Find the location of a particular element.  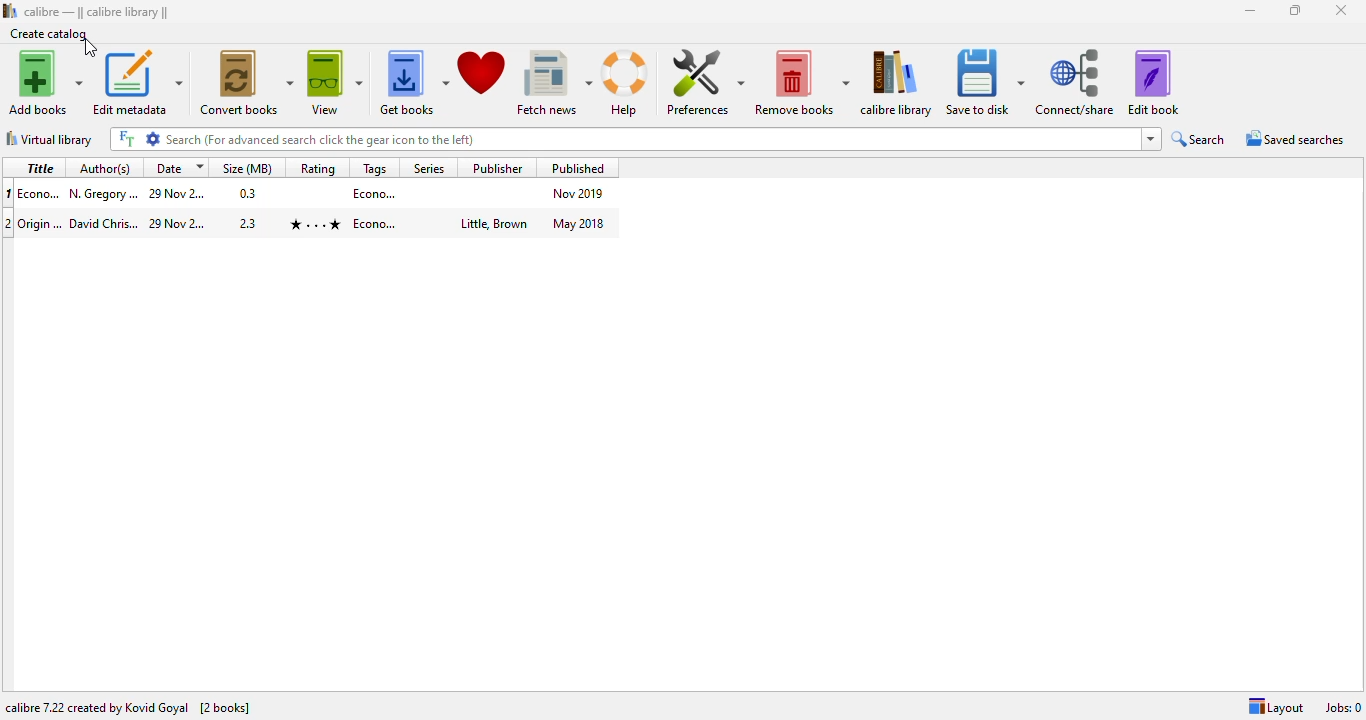

jobs: 0 is located at coordinates (1343, 708).